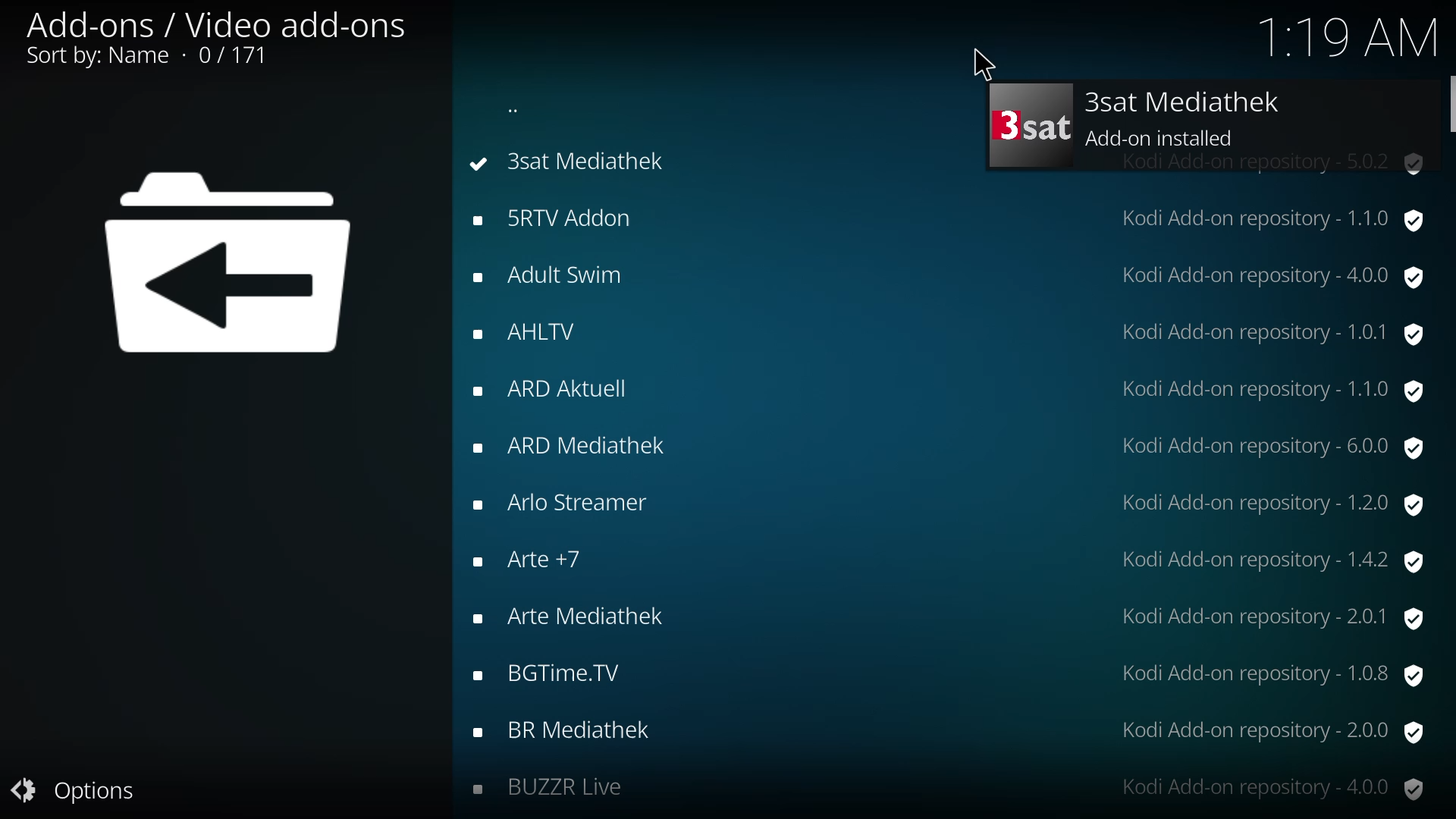 Image resolution: width=1456 pixels, height=819 pixels. I want to click on version, so click(1267, 391).